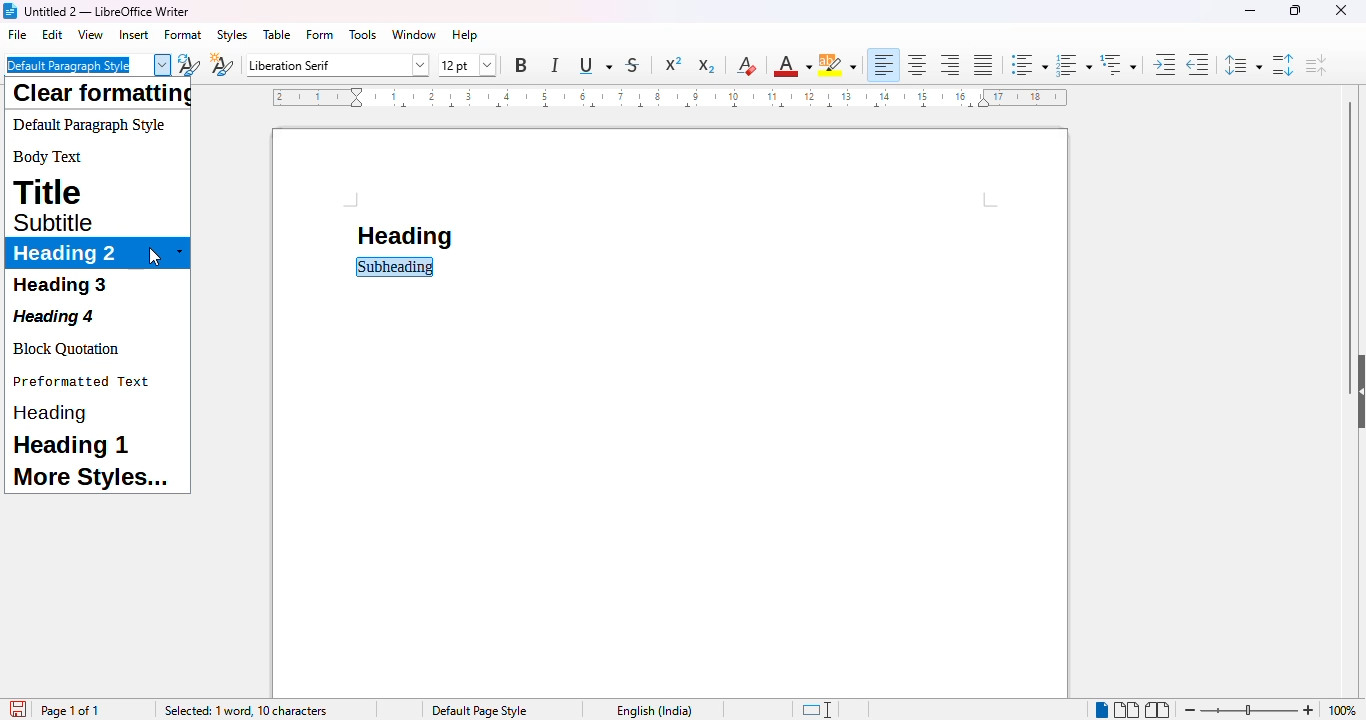  Describe the element at coordinates (918, 65) in the screenshot. I see `align center` at that location.